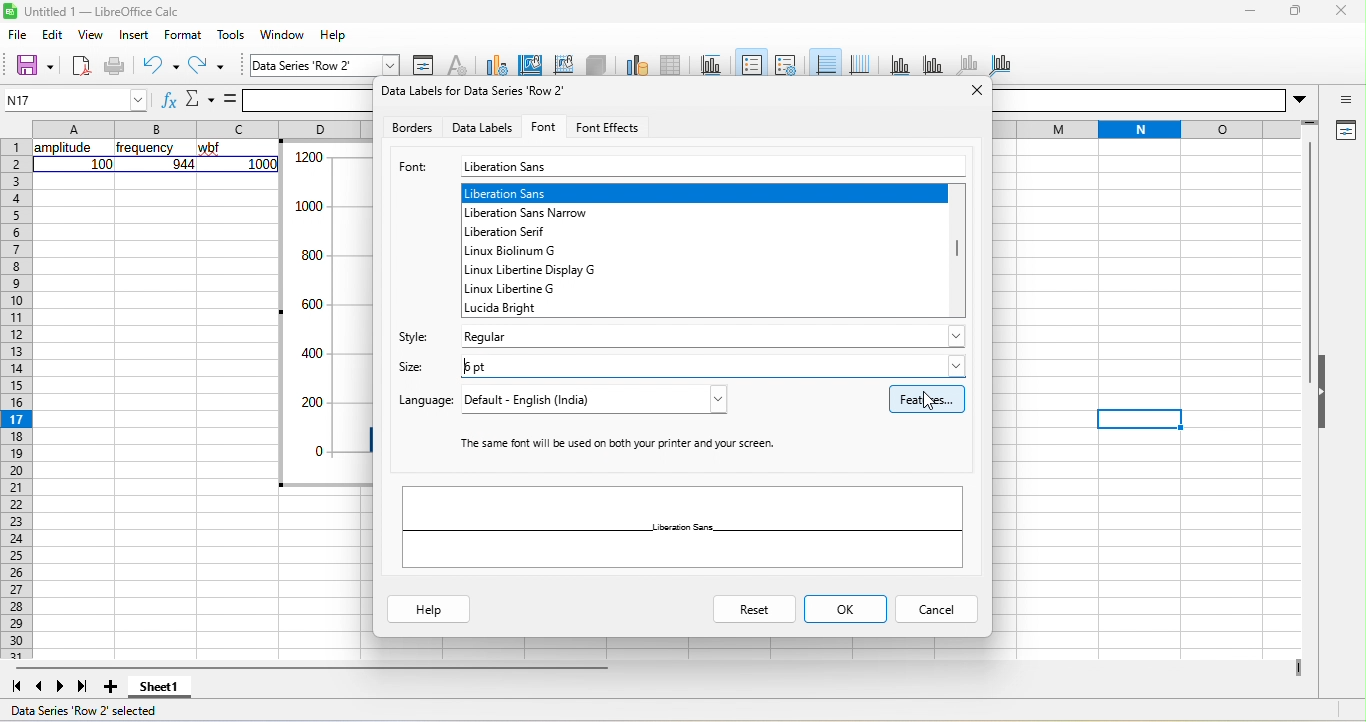 This screenshot has height=722, width=1366. Describe the element at coordinates (160, 691) in the screenshot. I see `sheet 1` at that location.